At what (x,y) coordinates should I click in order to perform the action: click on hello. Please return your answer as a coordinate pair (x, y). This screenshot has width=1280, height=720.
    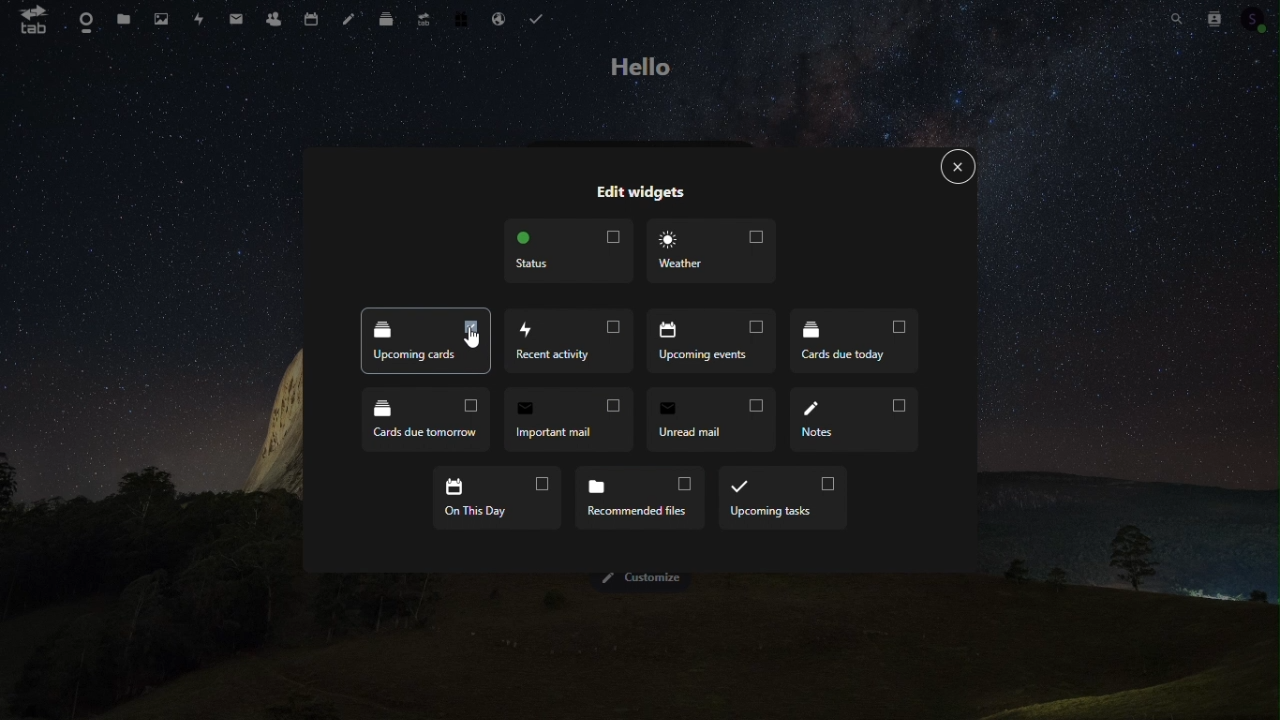
    Looking at the image, I should click on (641, 66).